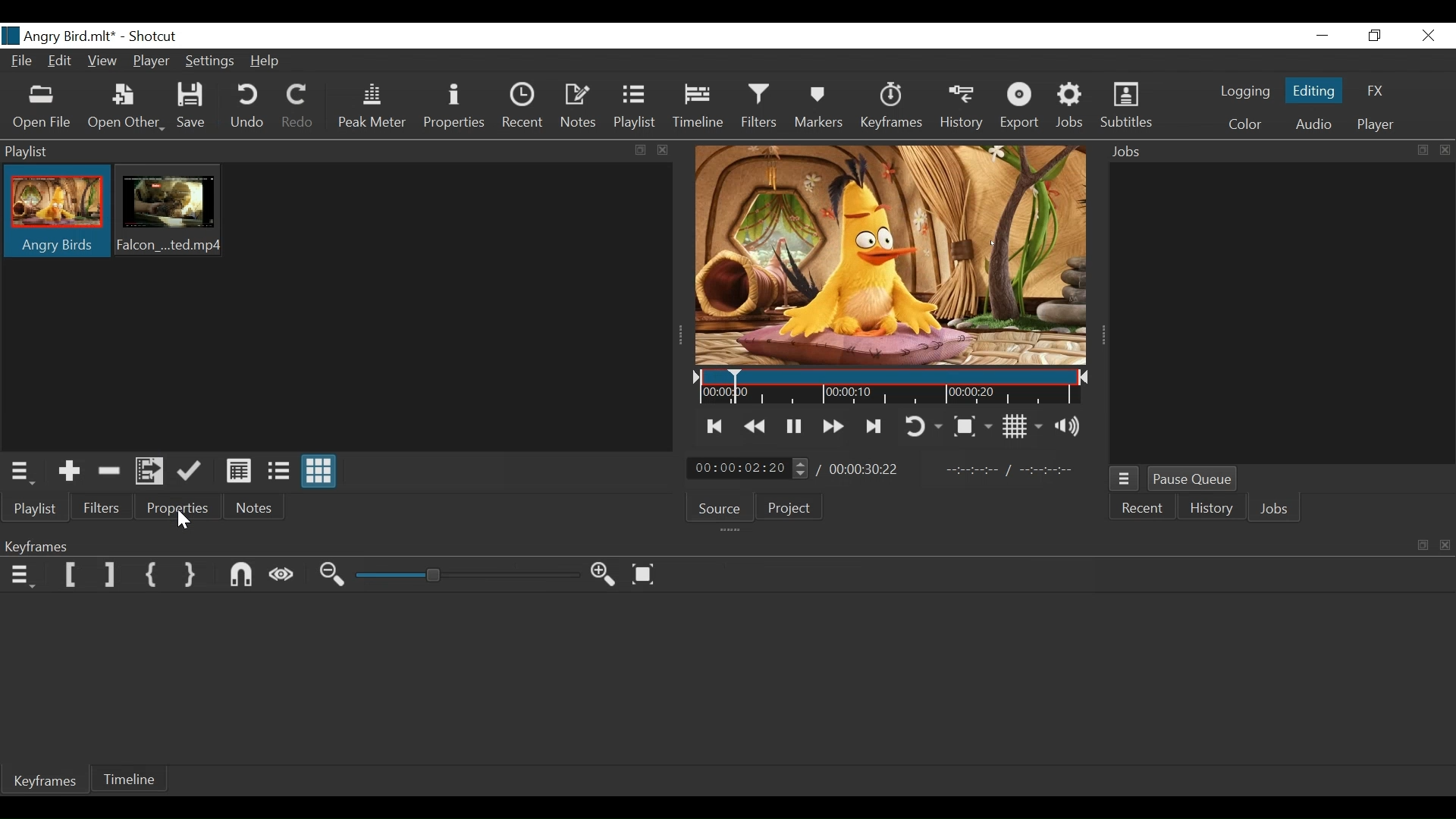  What do you see at coordinates (242, 576) in the screenshot?
I see `Snap` at bounding box center [242, 576].